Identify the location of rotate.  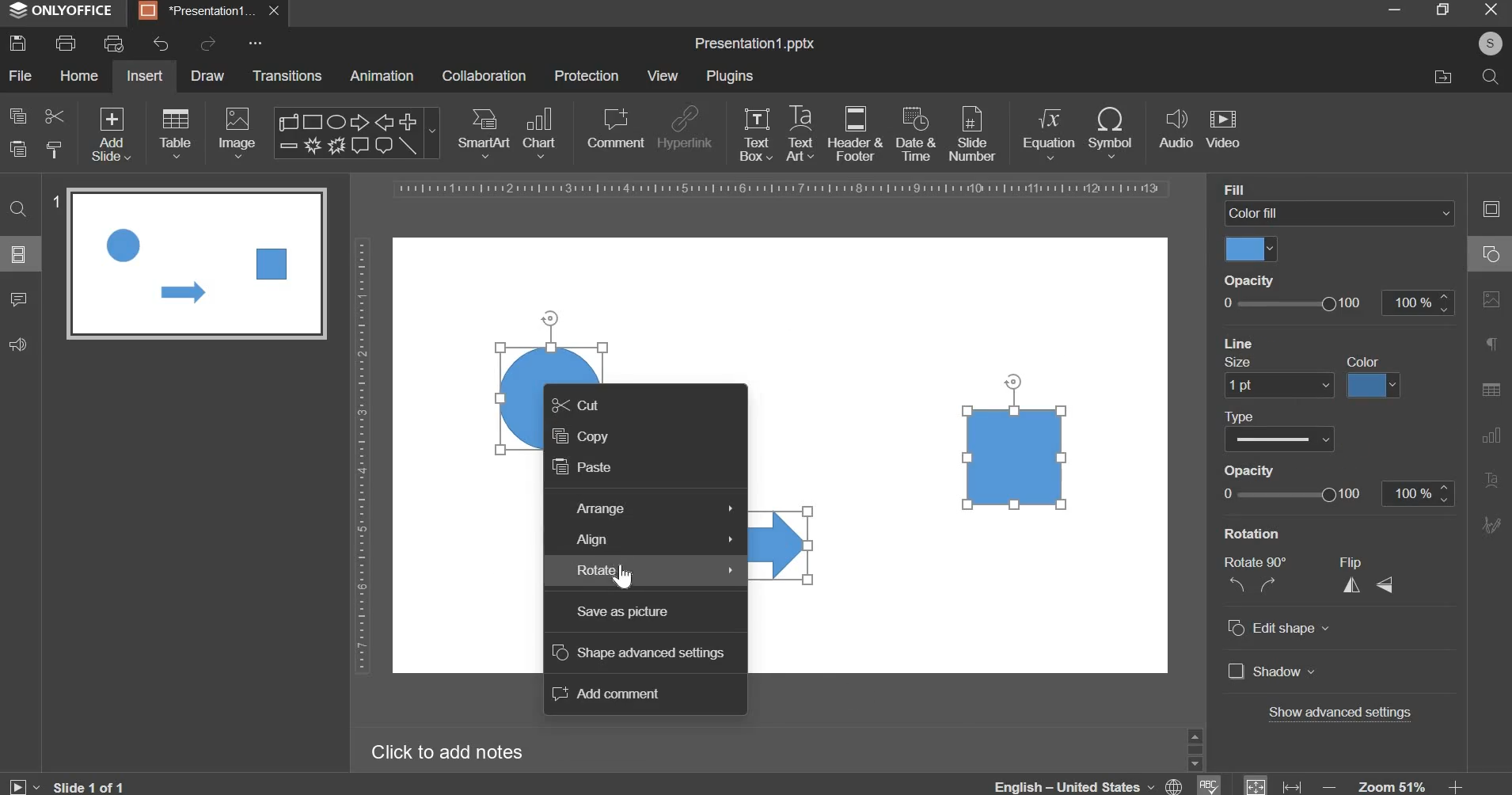
(550, 318).